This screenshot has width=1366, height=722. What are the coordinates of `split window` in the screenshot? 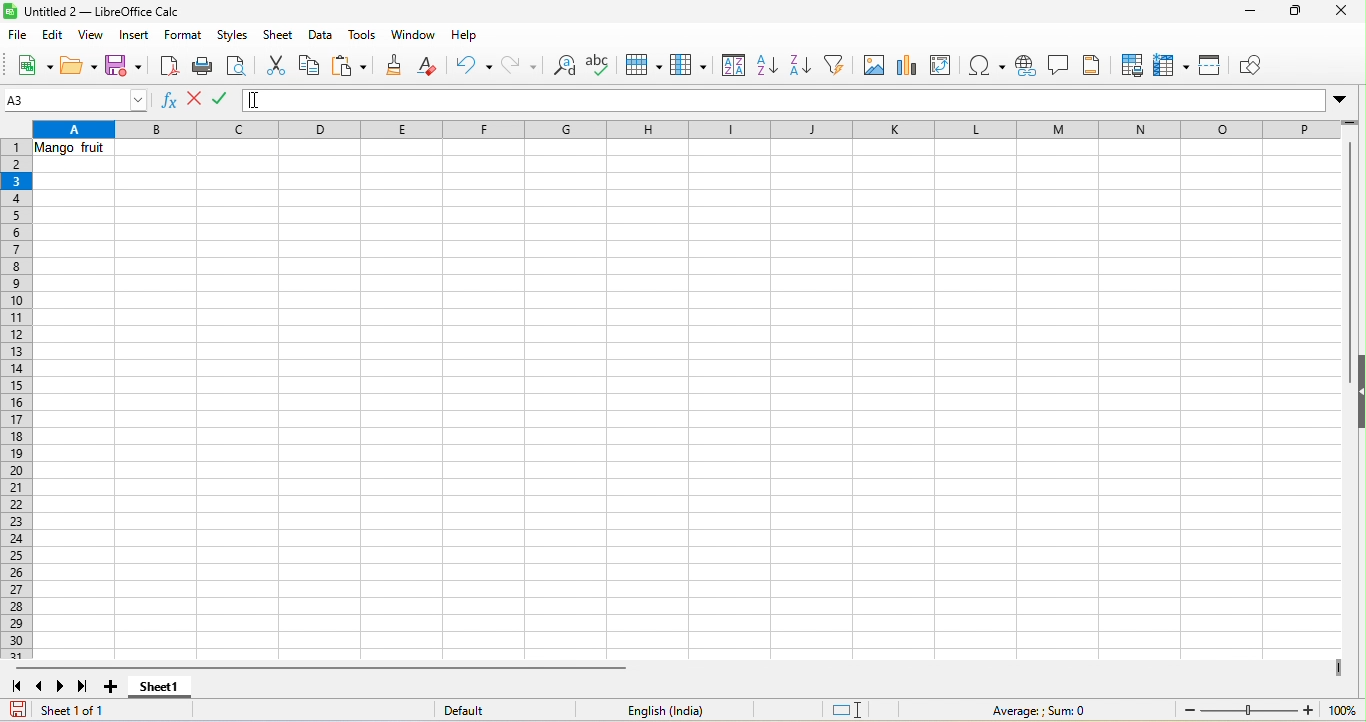 It's located at (1215, 68).